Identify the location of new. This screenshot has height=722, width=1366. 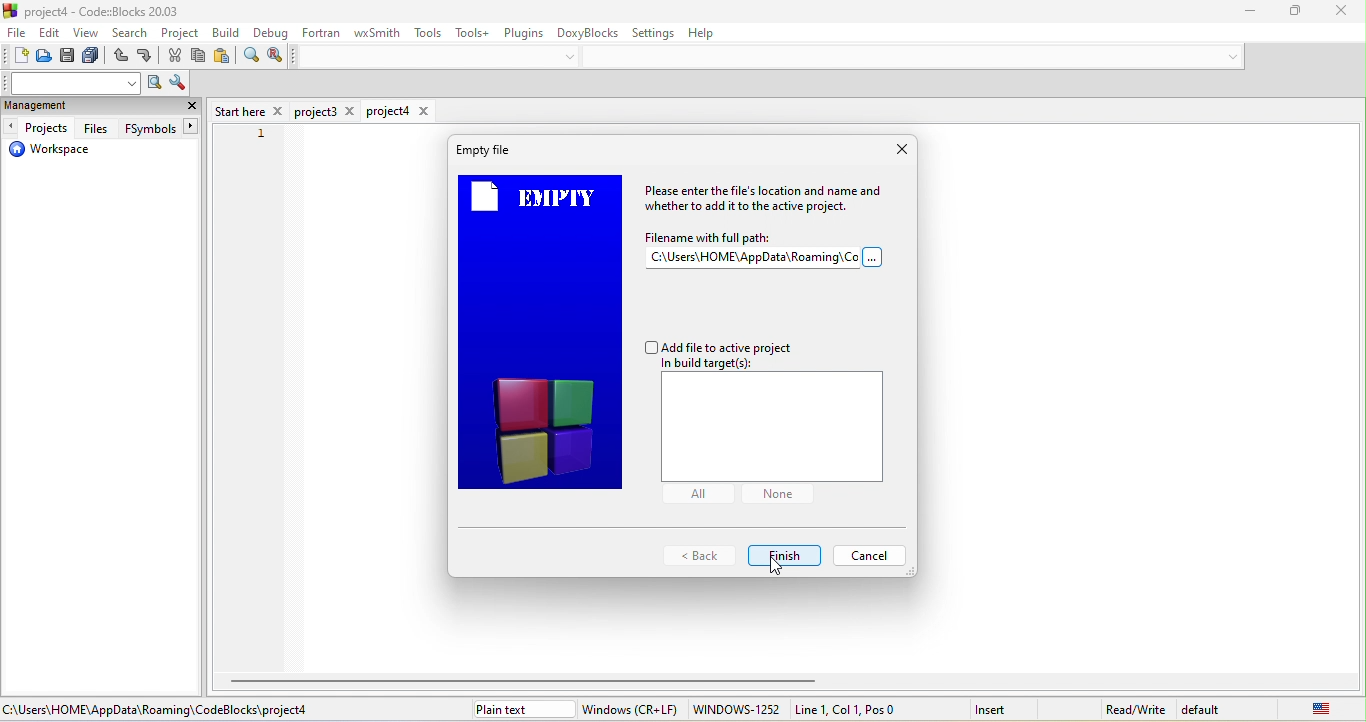
(15, 57).